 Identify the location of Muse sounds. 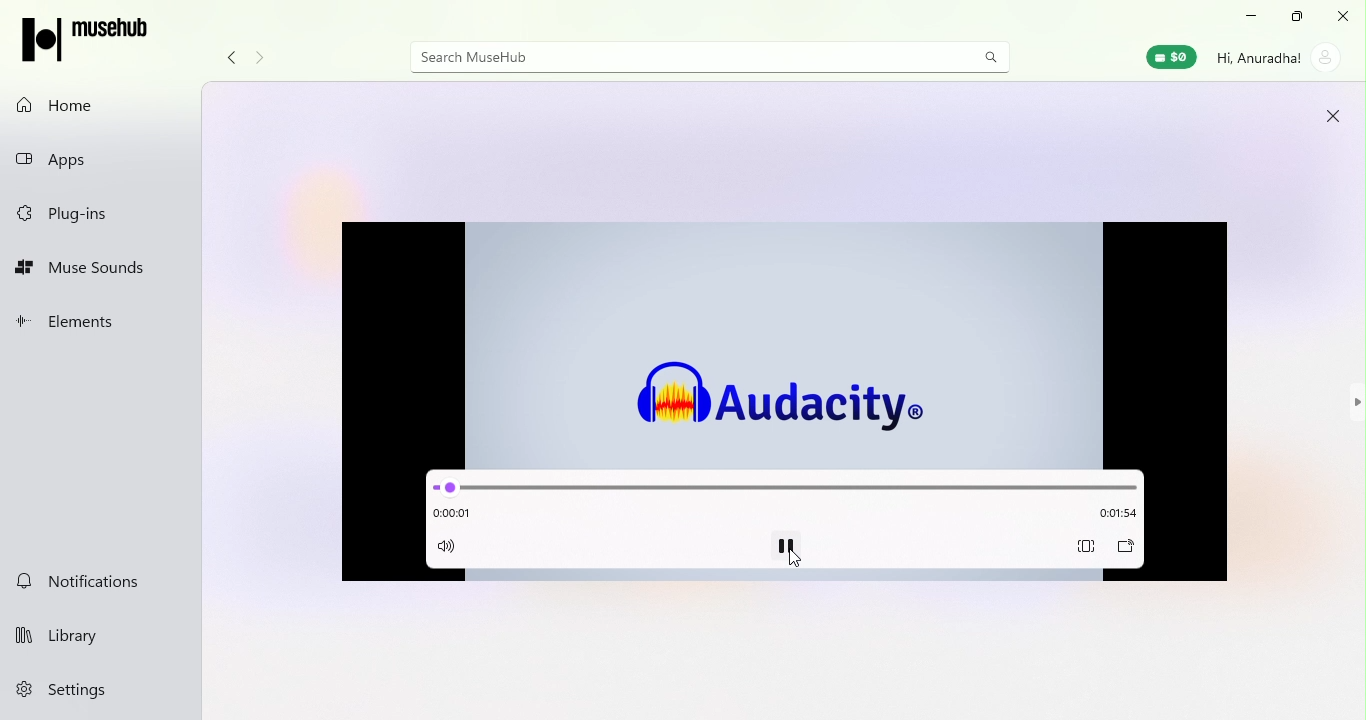
(106, 271).